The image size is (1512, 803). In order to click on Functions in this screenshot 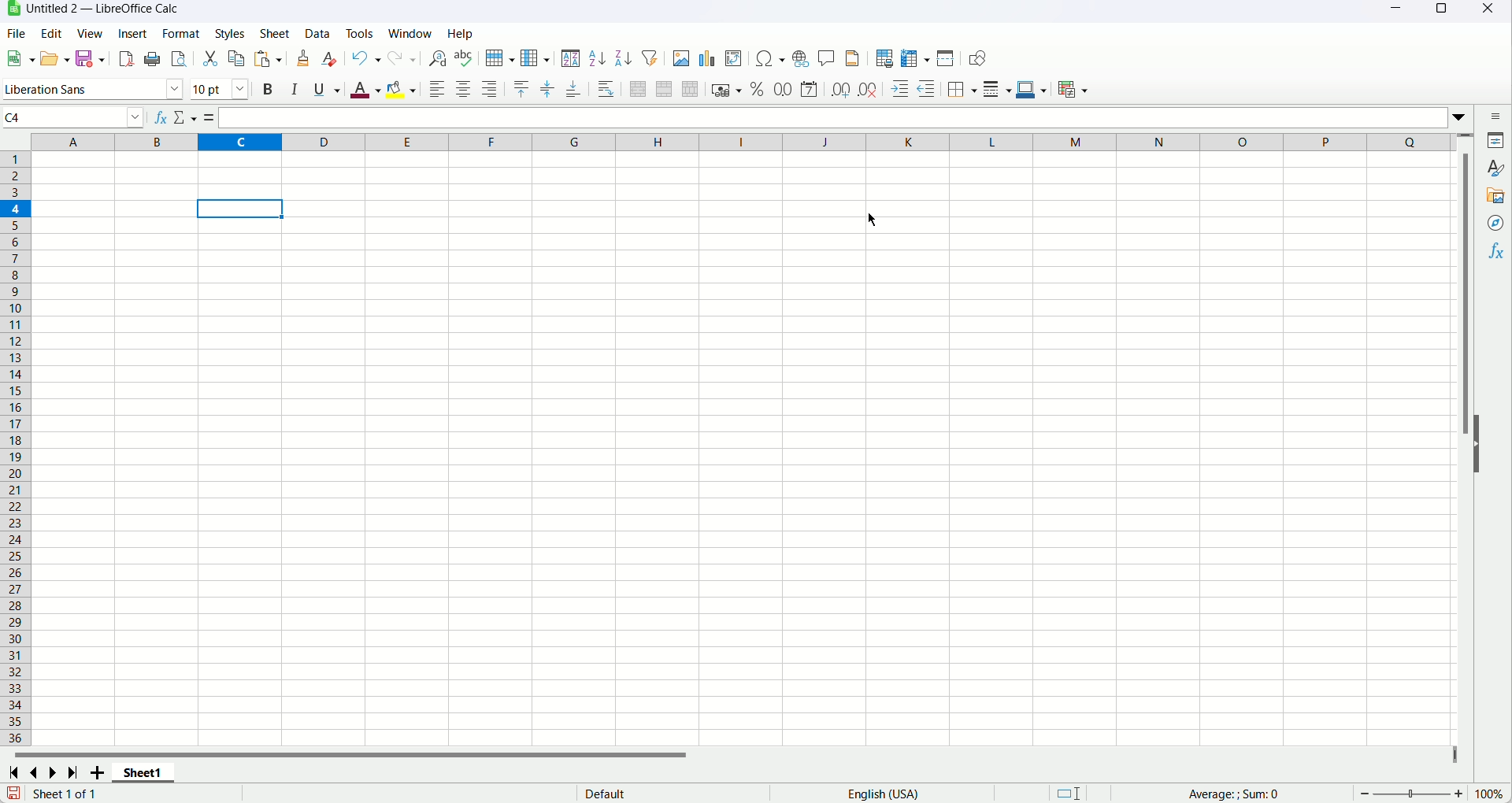, I will do `click(1498, 250)`.